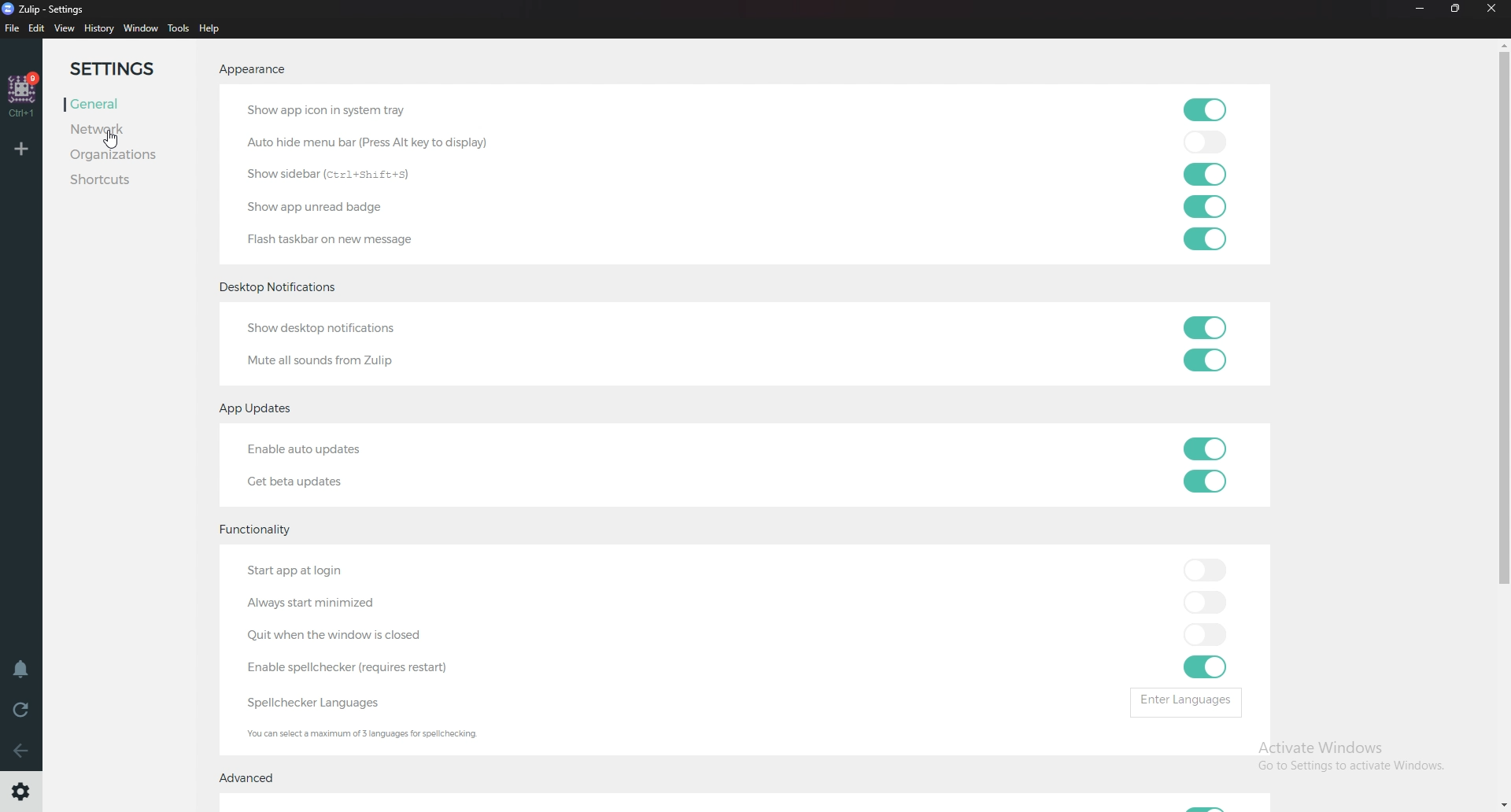  Describe the element at coordinates (1205, 141) in the screenshot. I see `toggle` at that location.